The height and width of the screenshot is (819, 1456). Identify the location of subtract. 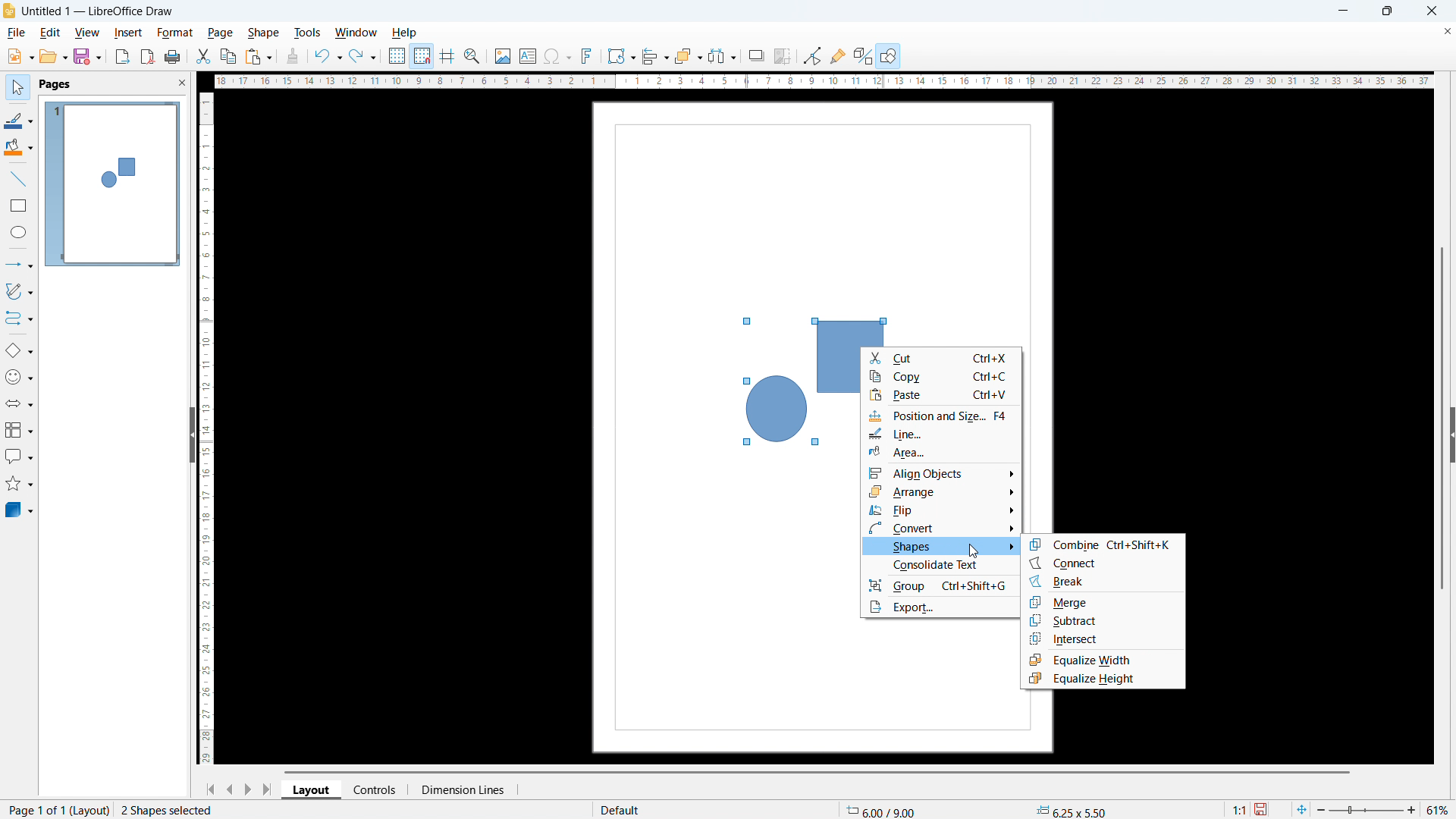
(1105, 621).